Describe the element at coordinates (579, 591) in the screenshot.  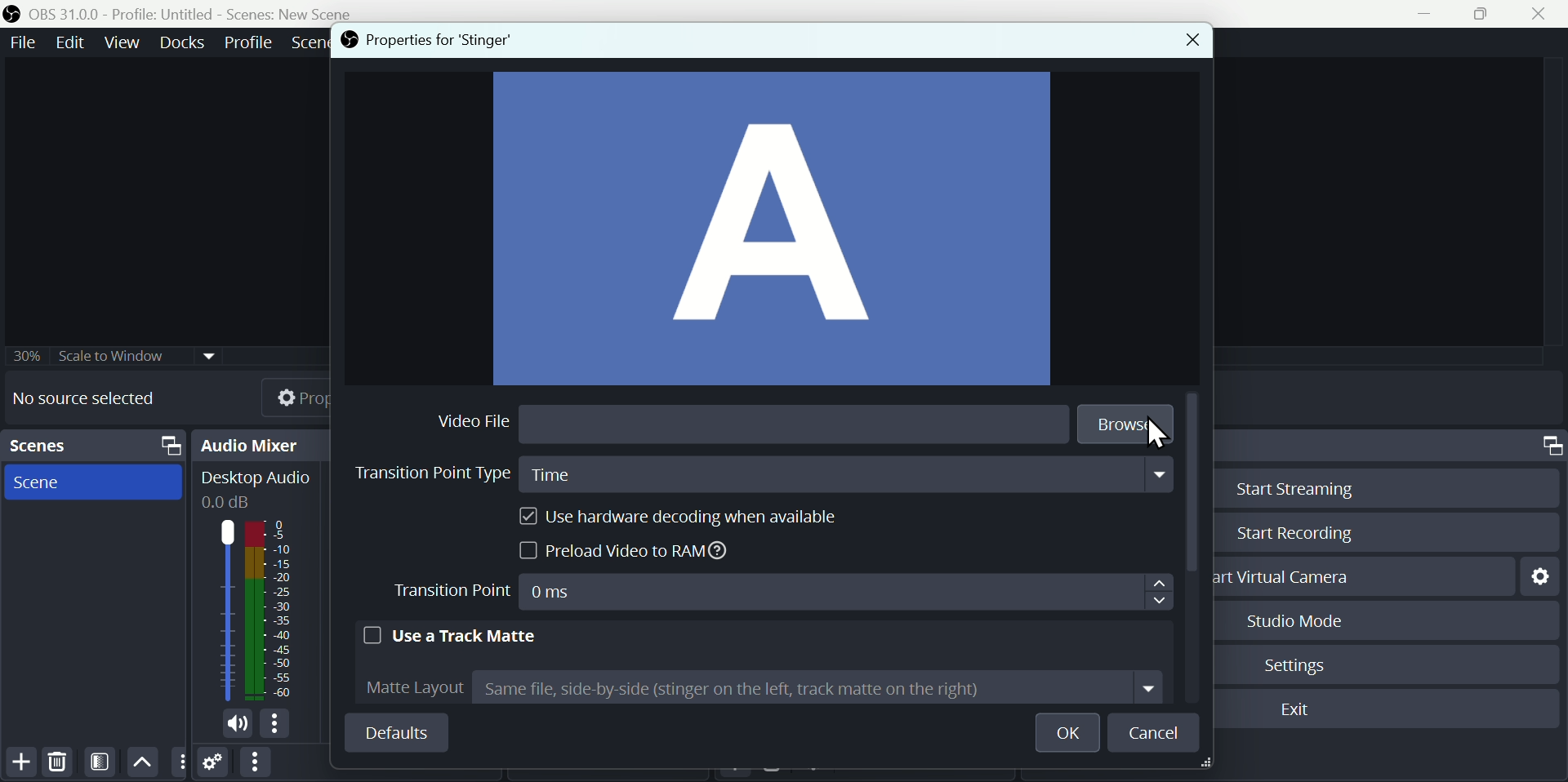
I see `0MS` at that location.